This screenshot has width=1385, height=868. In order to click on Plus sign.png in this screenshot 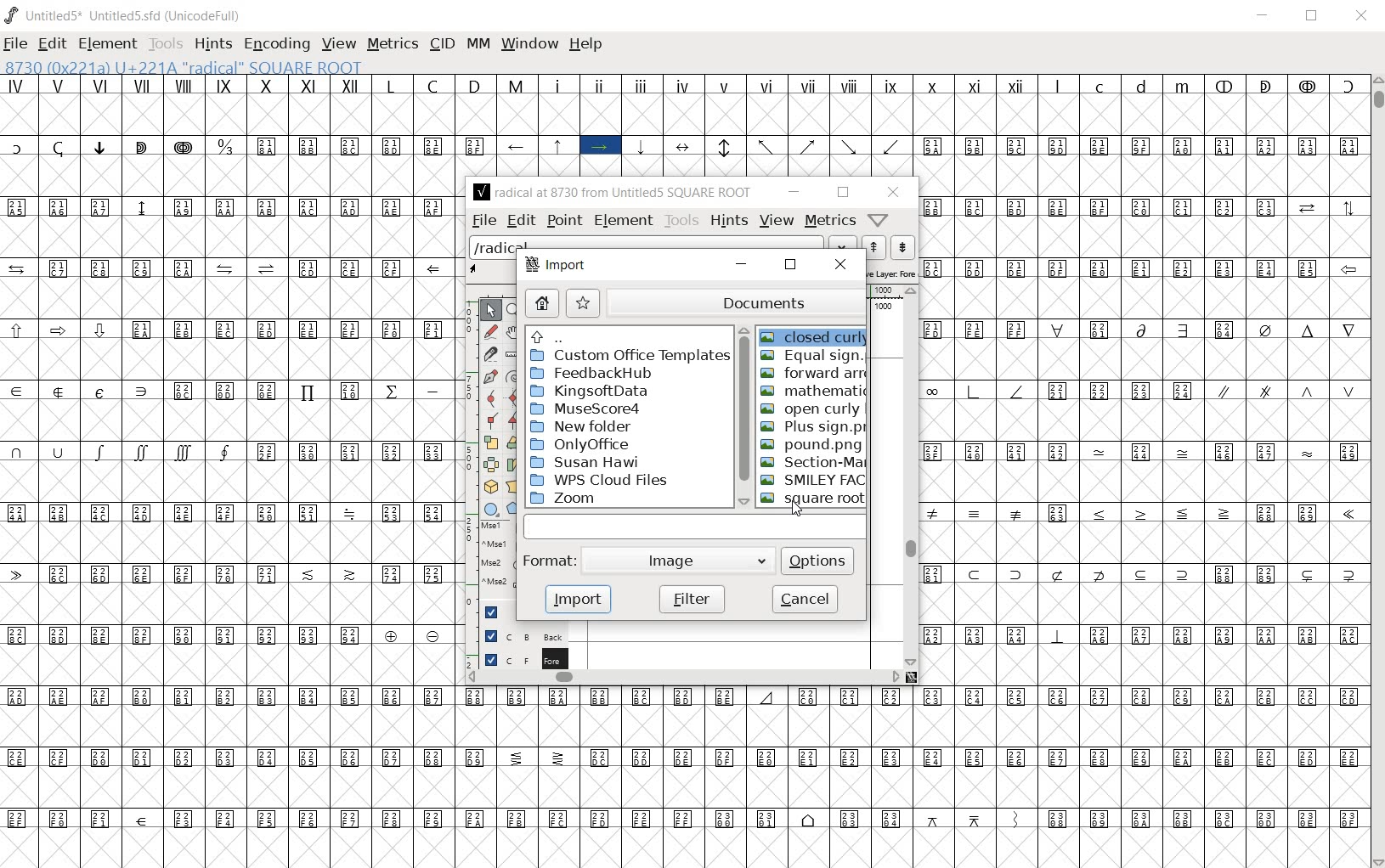, I will do `click(813, 428)`.